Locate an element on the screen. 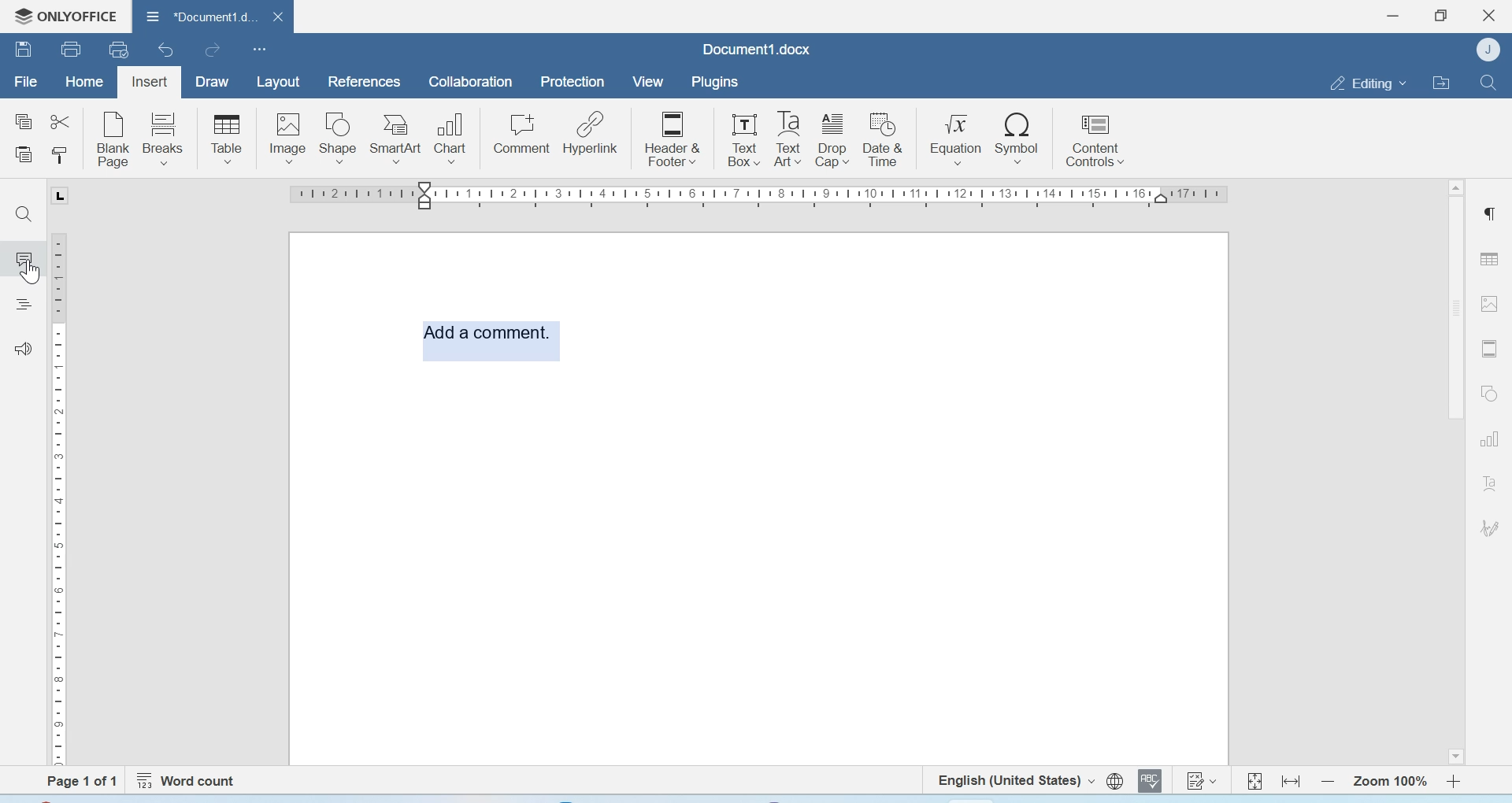 Image resolution: width=1512 pixels, height=803 pixels. Zoom out is located at coordinates (1328, 781).